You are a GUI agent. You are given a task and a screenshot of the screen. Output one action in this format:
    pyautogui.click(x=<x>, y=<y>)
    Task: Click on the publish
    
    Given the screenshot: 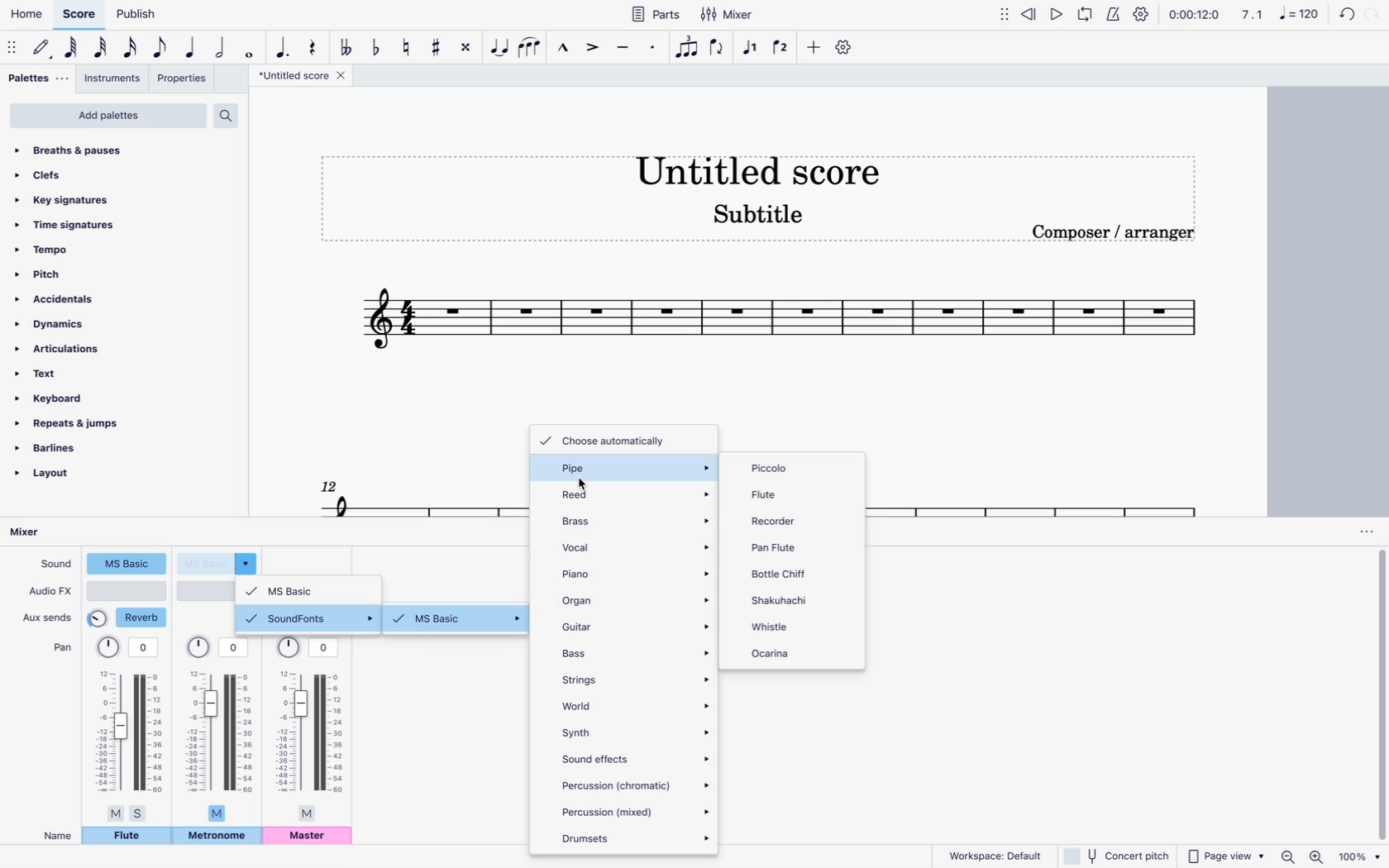 What is the action you would take?
    pyautogui.click(x=135, y=16)
    